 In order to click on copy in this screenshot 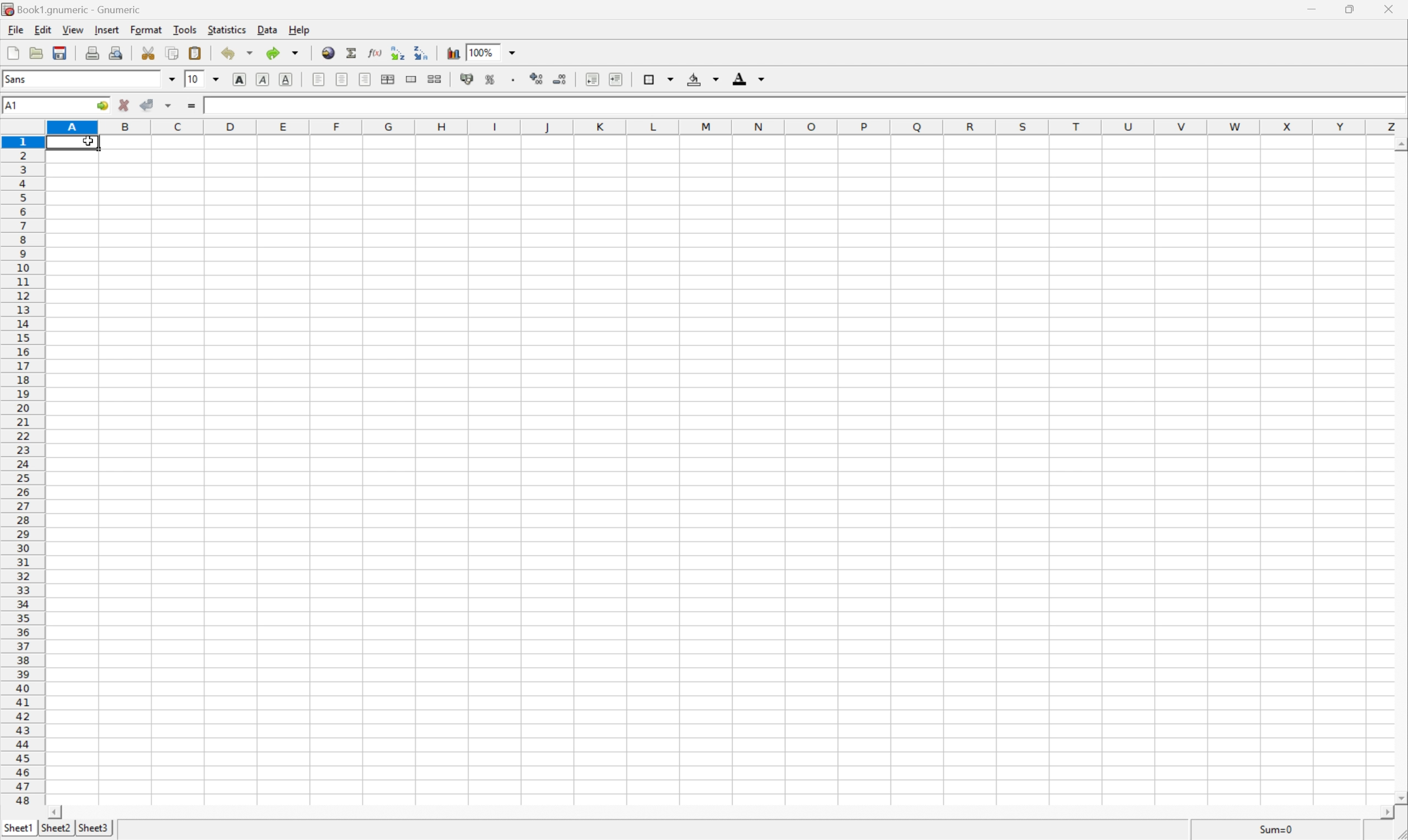, I will do `click(173, 52)`.